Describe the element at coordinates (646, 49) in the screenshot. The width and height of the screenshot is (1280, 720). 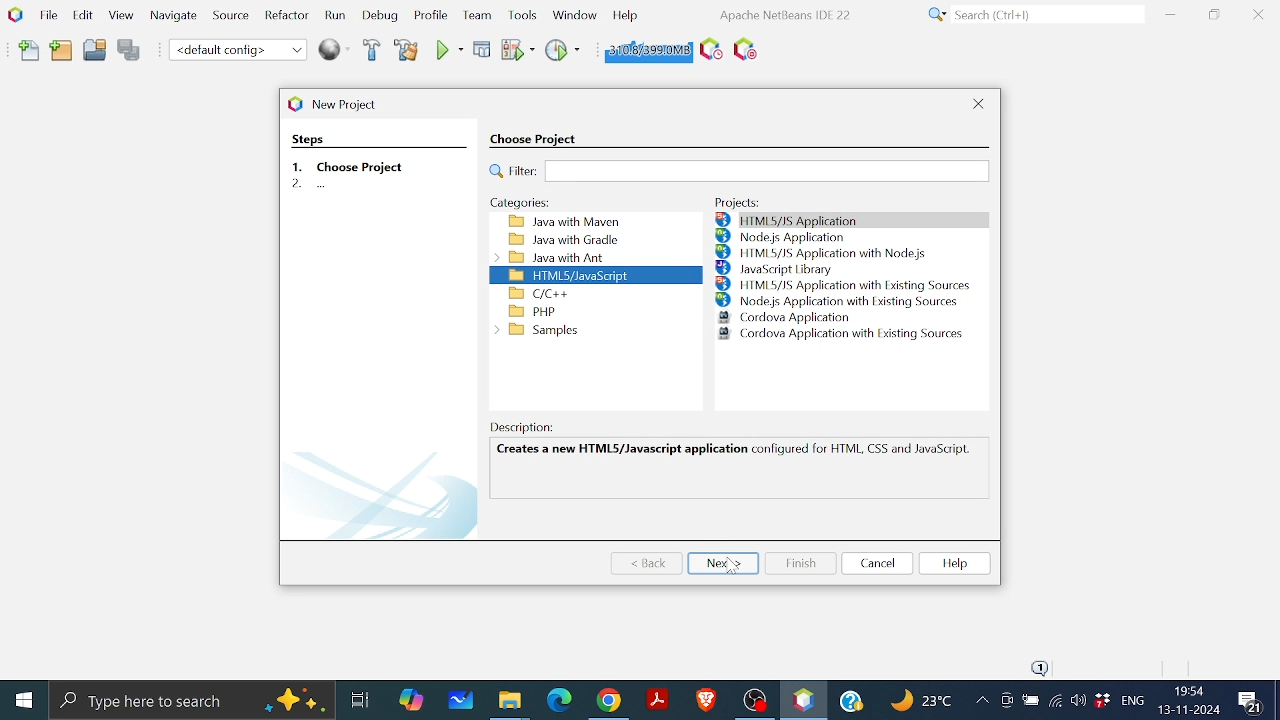
I see `Click to force garbage collection` at that location.